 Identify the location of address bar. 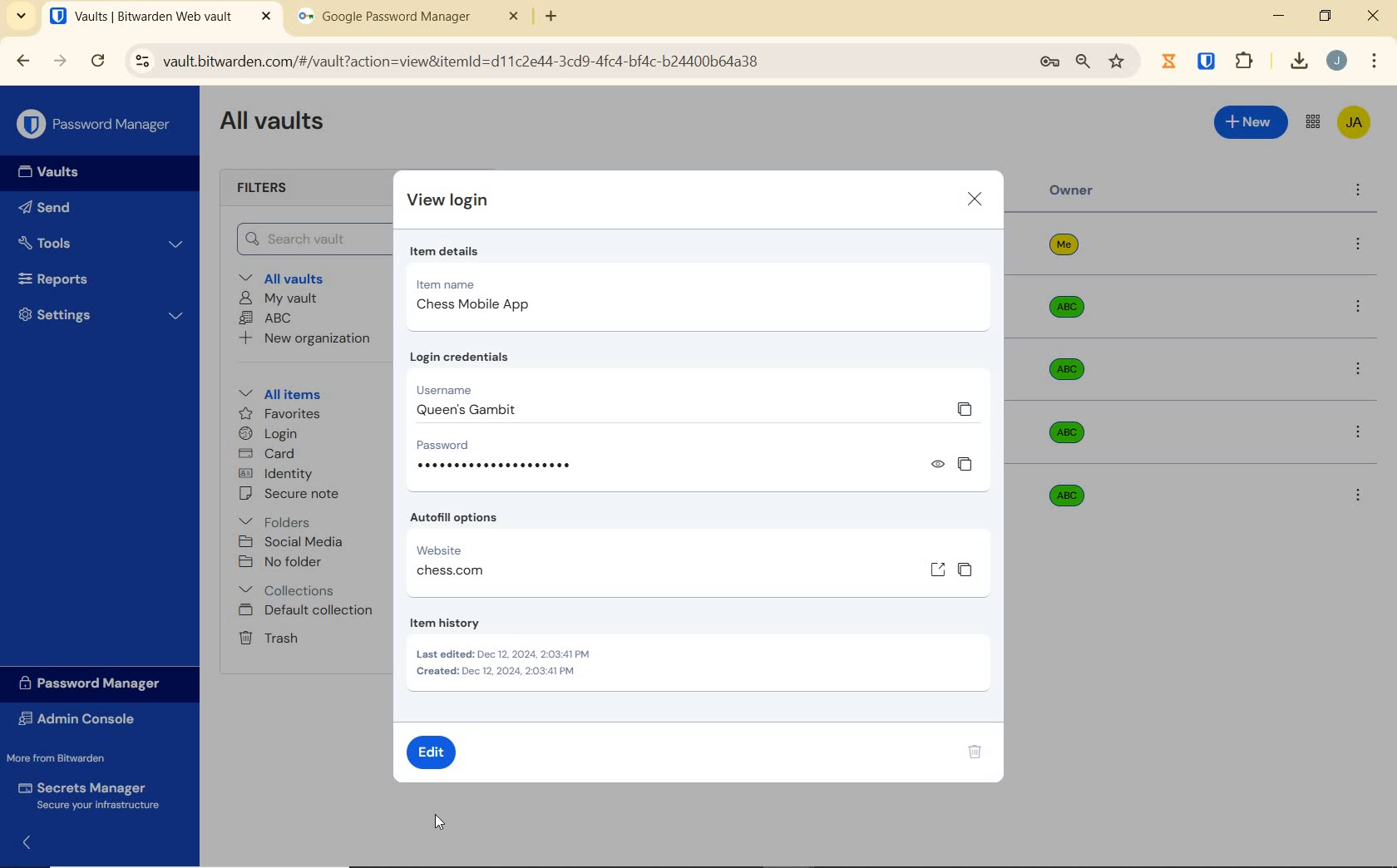
(573, 62).